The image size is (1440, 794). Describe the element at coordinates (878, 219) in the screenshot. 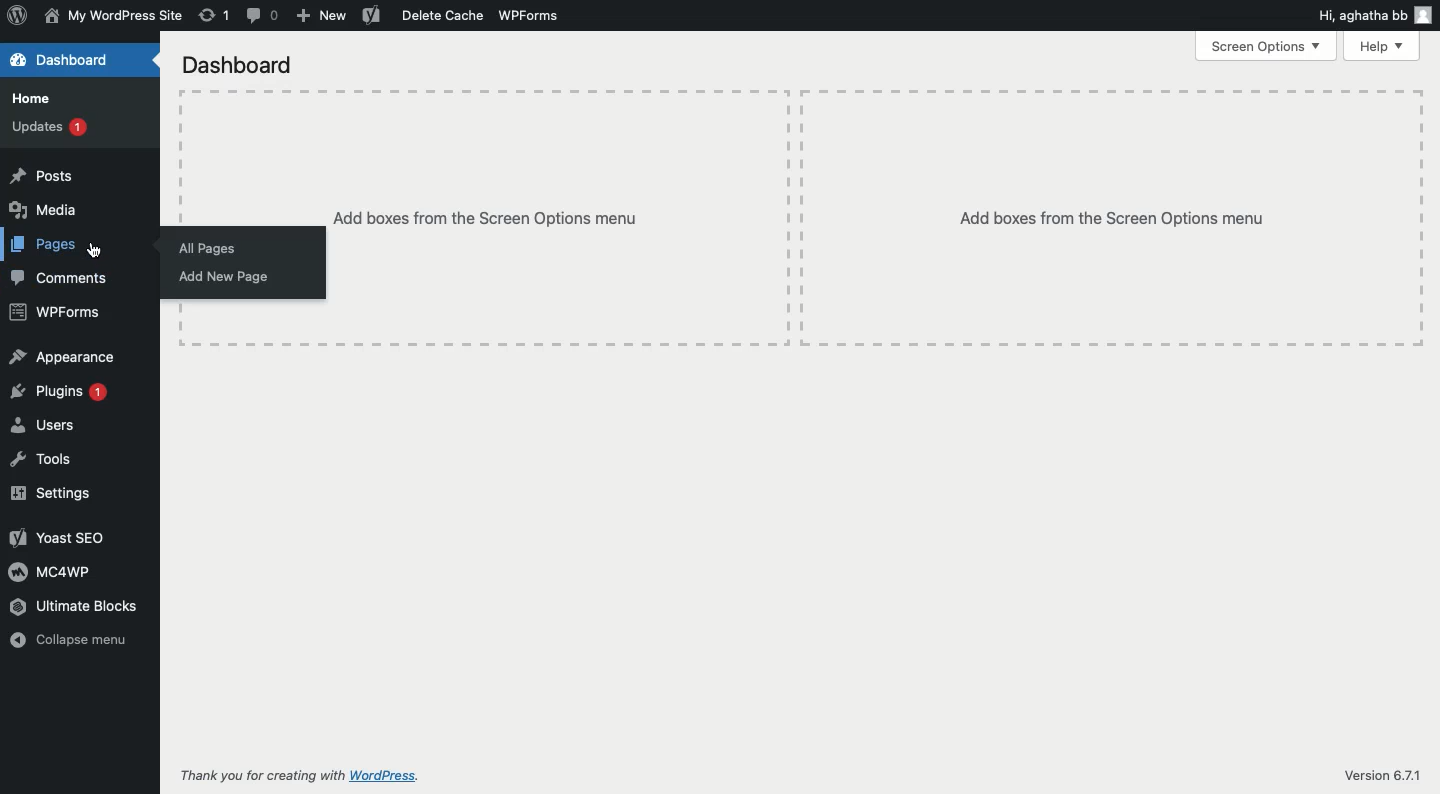

I see `Add boxes from the screen options menu` at that location.